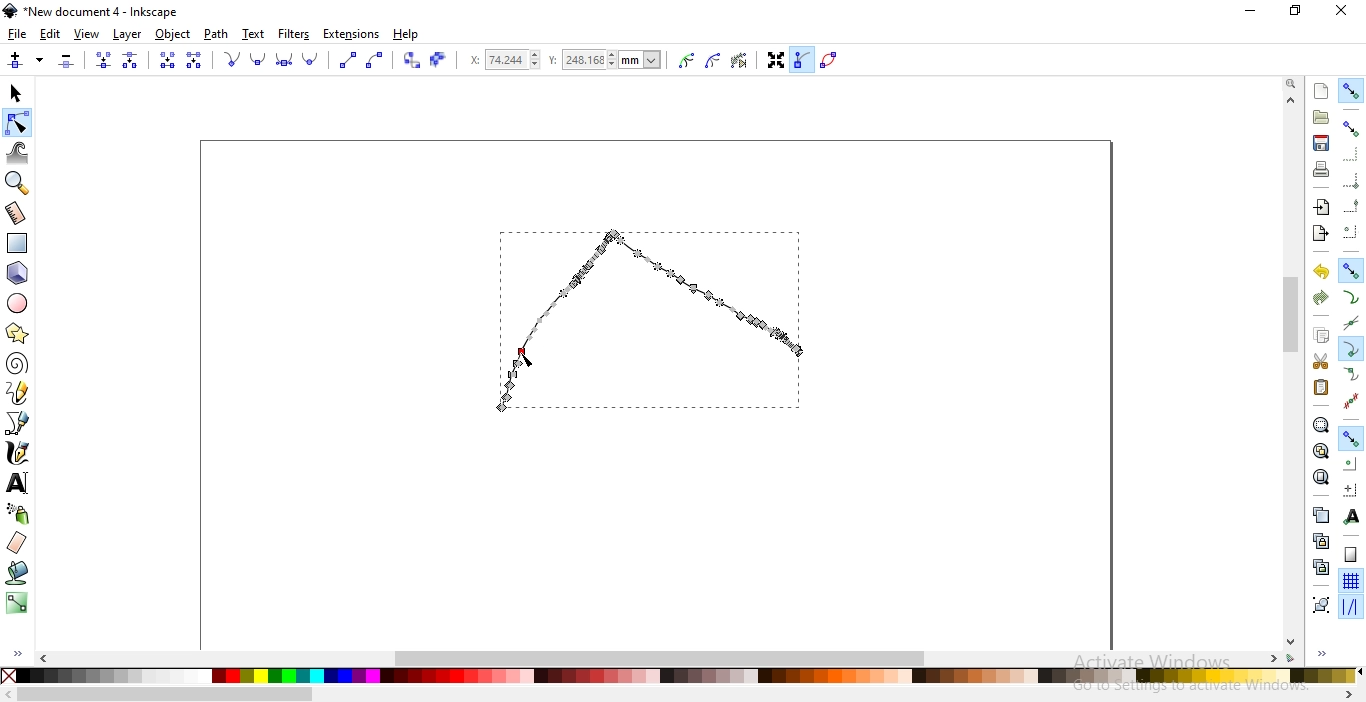 This screenshot has height=702, width=1366. Describe the element at coordinates (195, 60) in the screenshot. I see `delete segment between two non-endpoint nodes` at that location.